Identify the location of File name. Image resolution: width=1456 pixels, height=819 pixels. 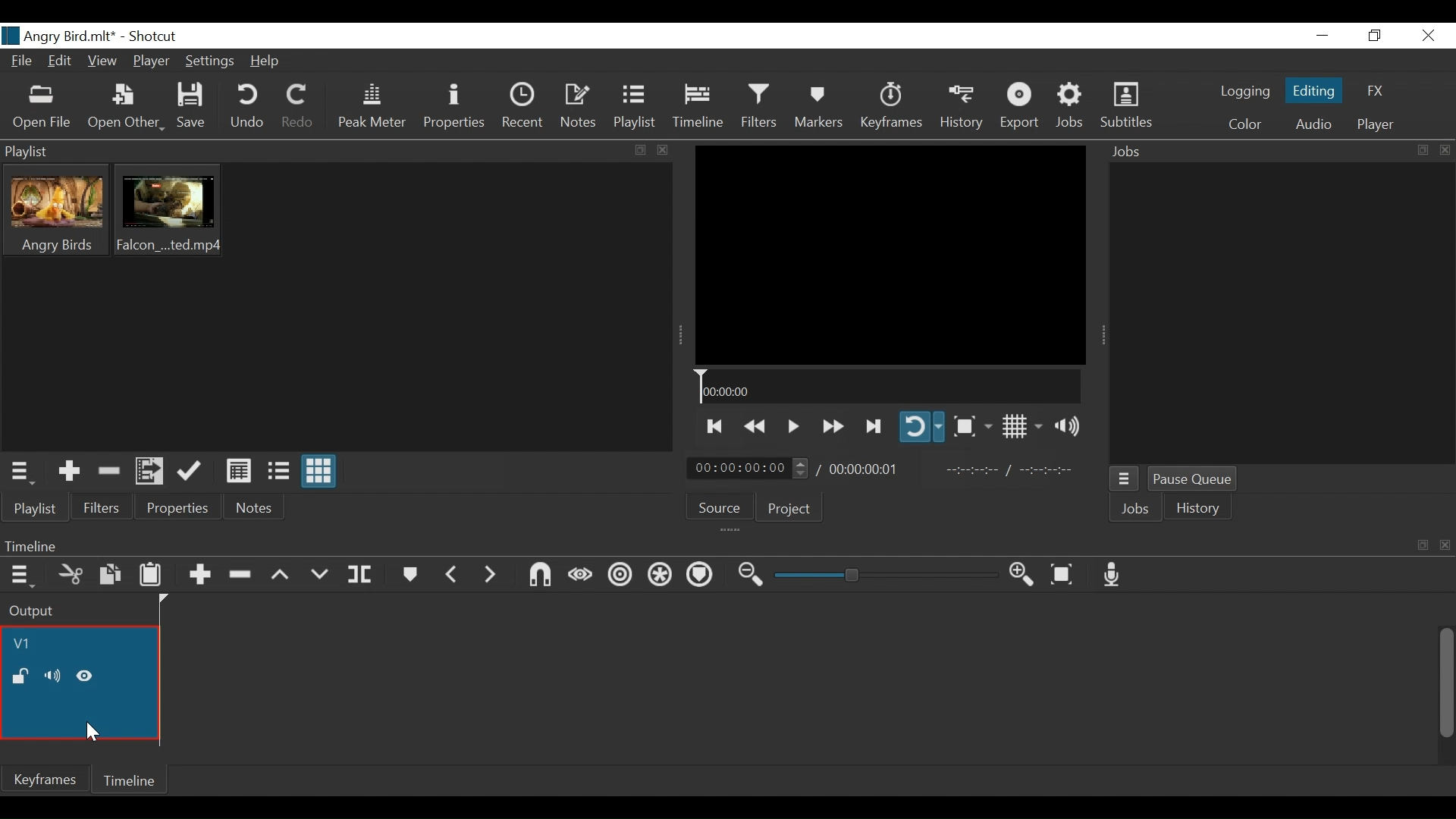
(60, 35).